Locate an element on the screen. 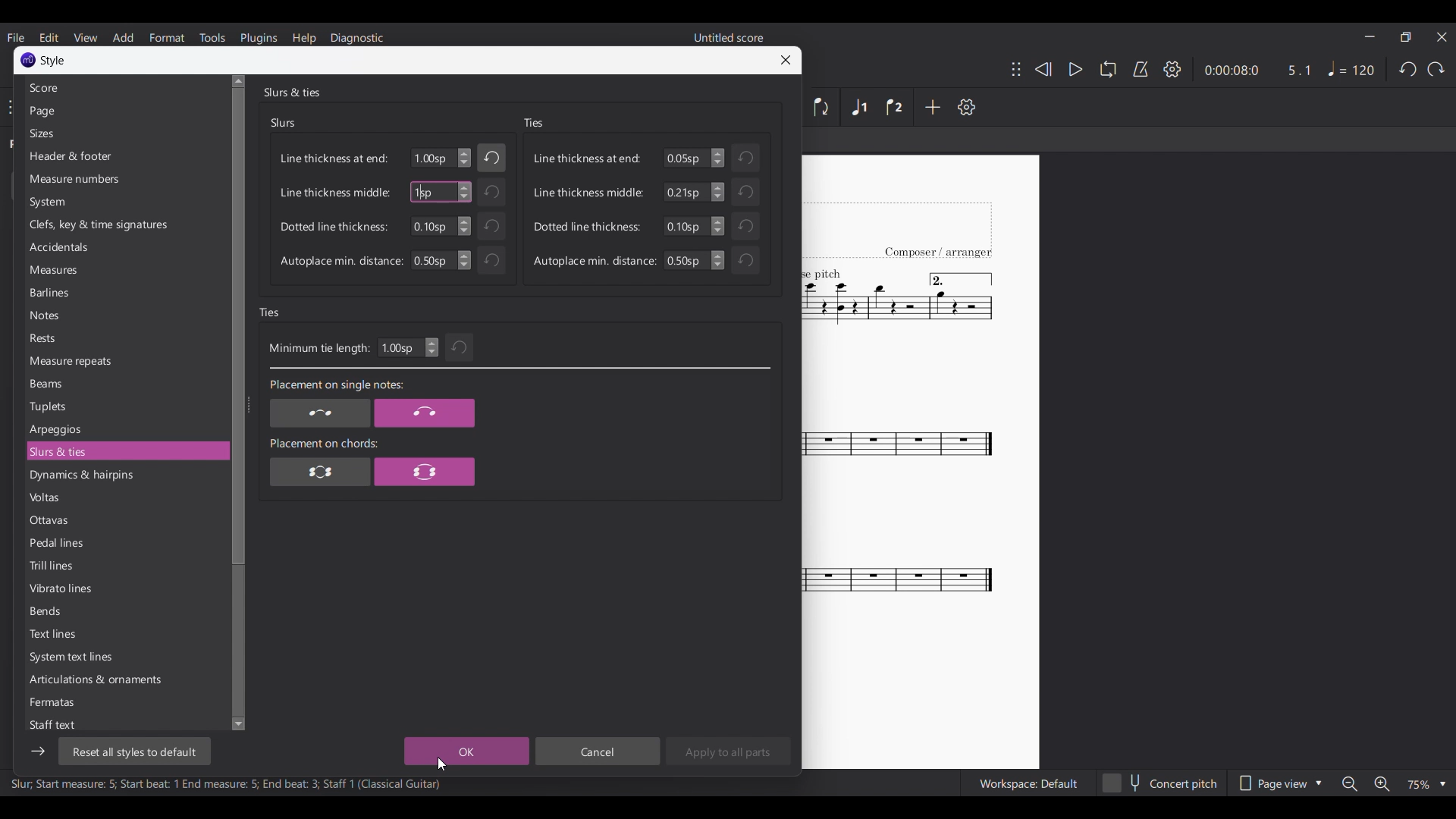 The width and height of the screenshot is (1456, 819). Page is located at coordinates (124, 111).